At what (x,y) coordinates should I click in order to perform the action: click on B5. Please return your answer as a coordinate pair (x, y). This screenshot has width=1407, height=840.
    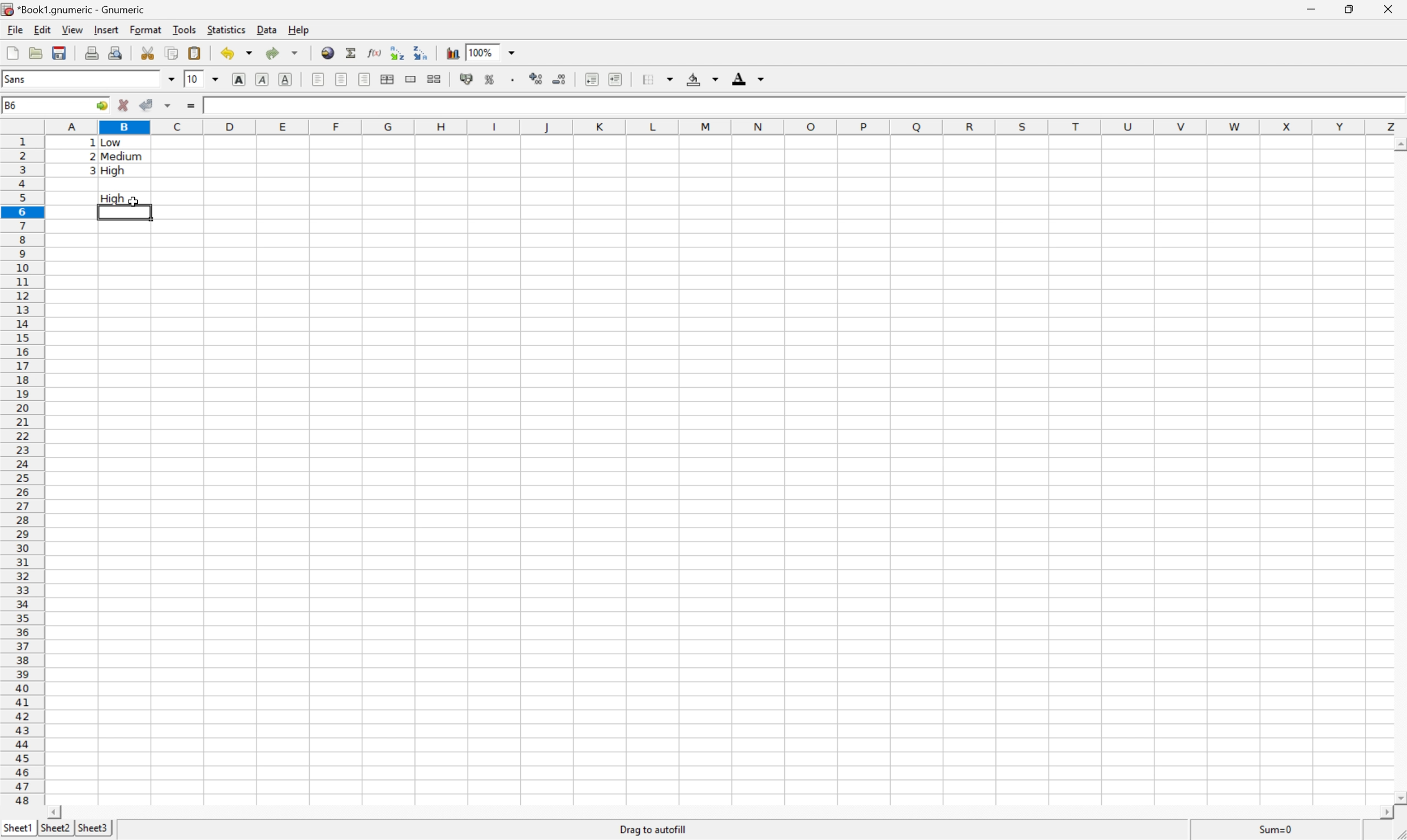
    Looking at the image, I should click on (12, 105).